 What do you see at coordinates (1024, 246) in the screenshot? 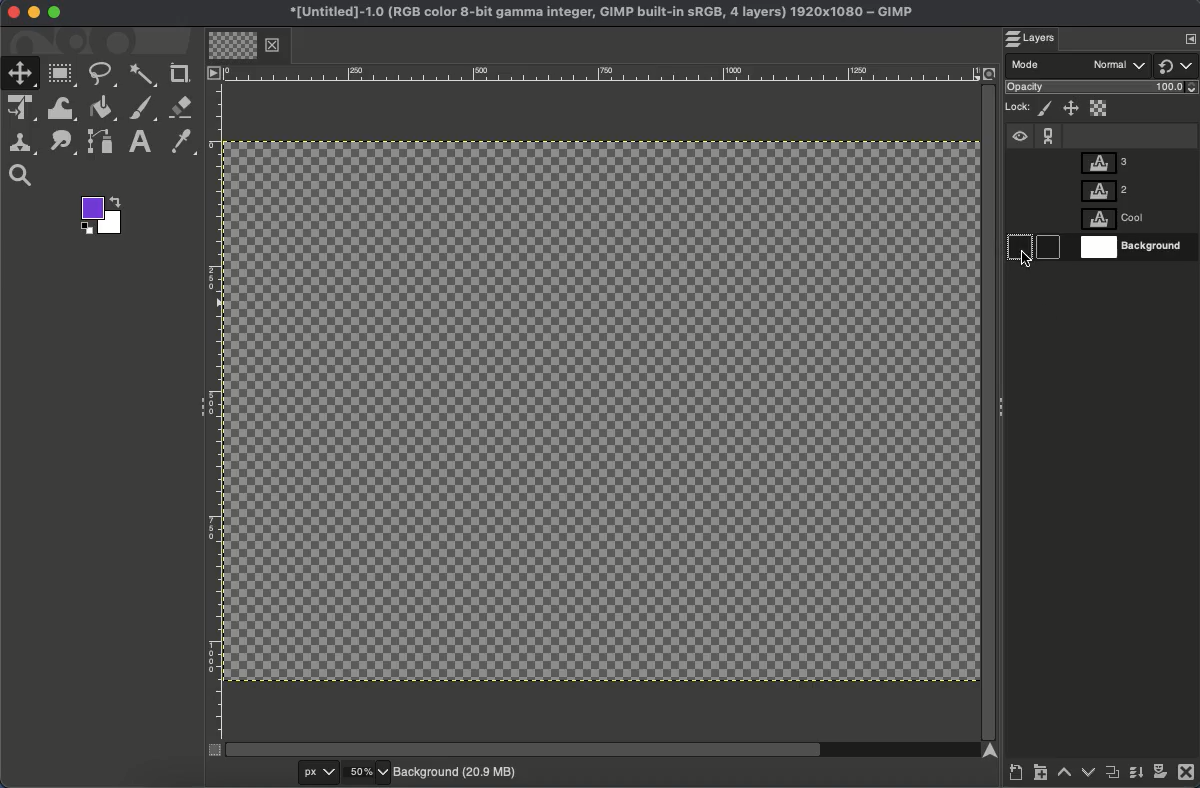
I see `Show` at bounding box center [1024, 246].